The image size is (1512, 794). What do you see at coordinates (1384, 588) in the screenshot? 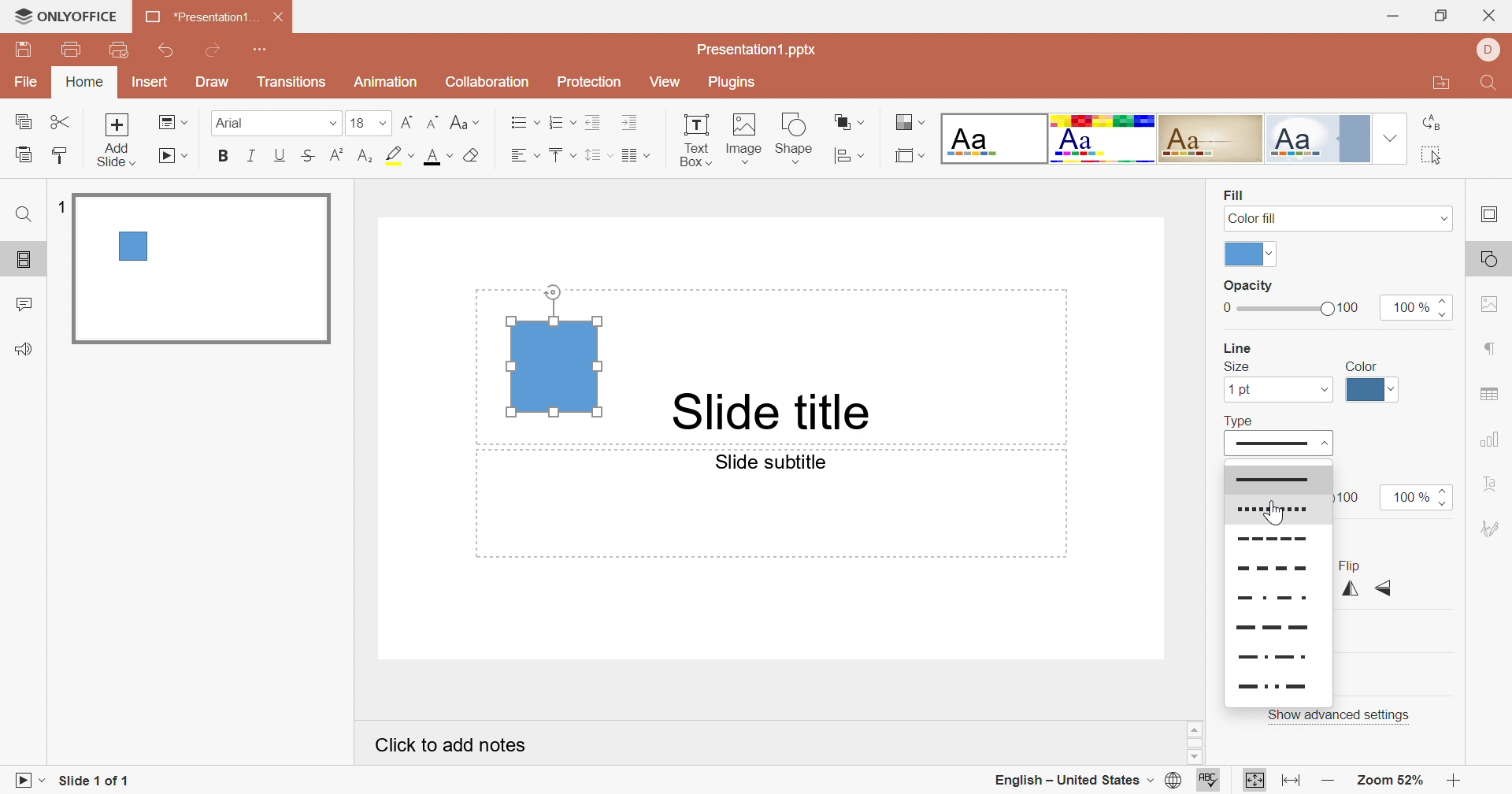
I see `Flip vertically` at bounding box center [1384, 588].